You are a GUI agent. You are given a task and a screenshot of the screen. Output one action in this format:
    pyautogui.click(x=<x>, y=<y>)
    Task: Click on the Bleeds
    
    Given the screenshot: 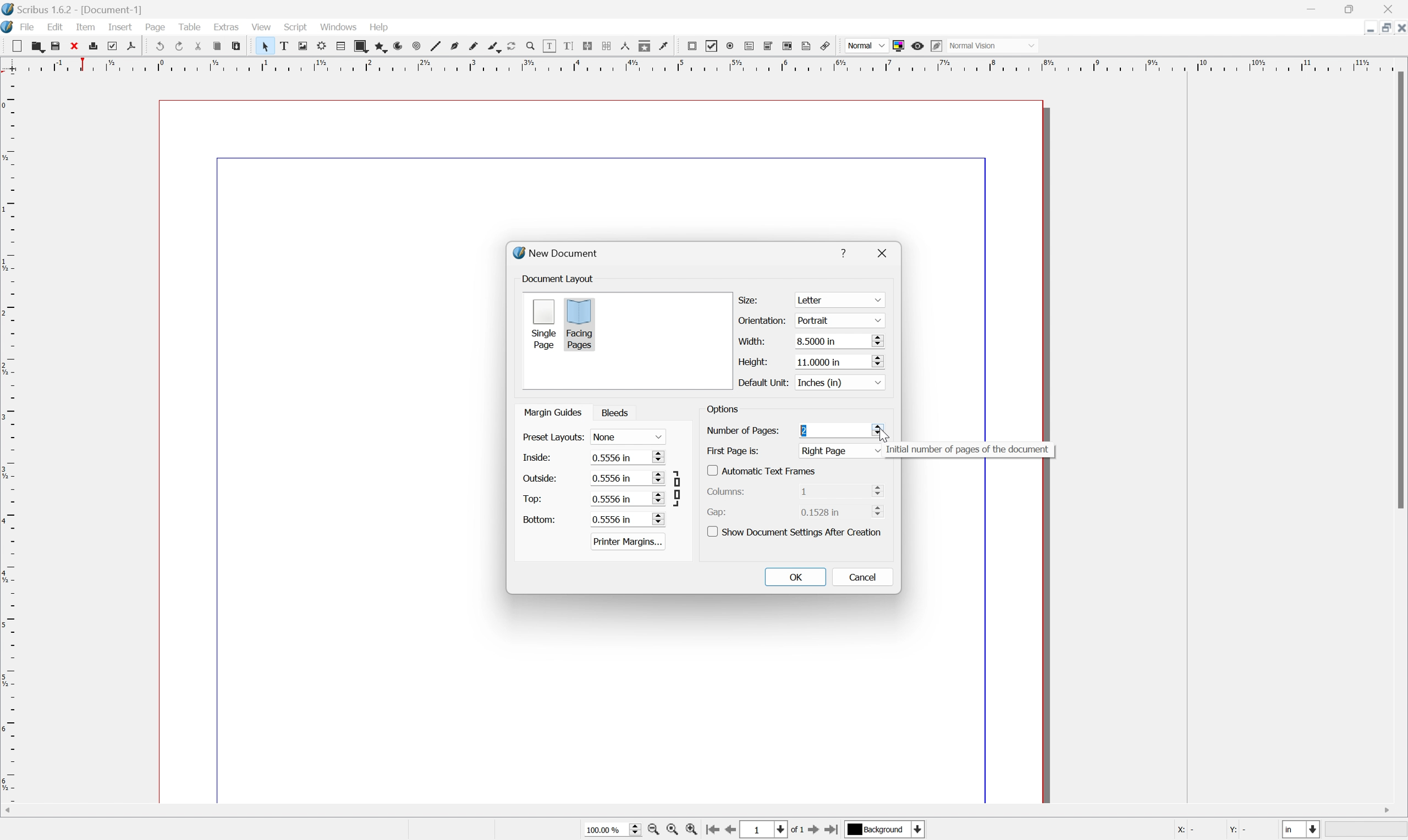 What is the action you would take?
    pyautogui.click(x=618, y=413)
    